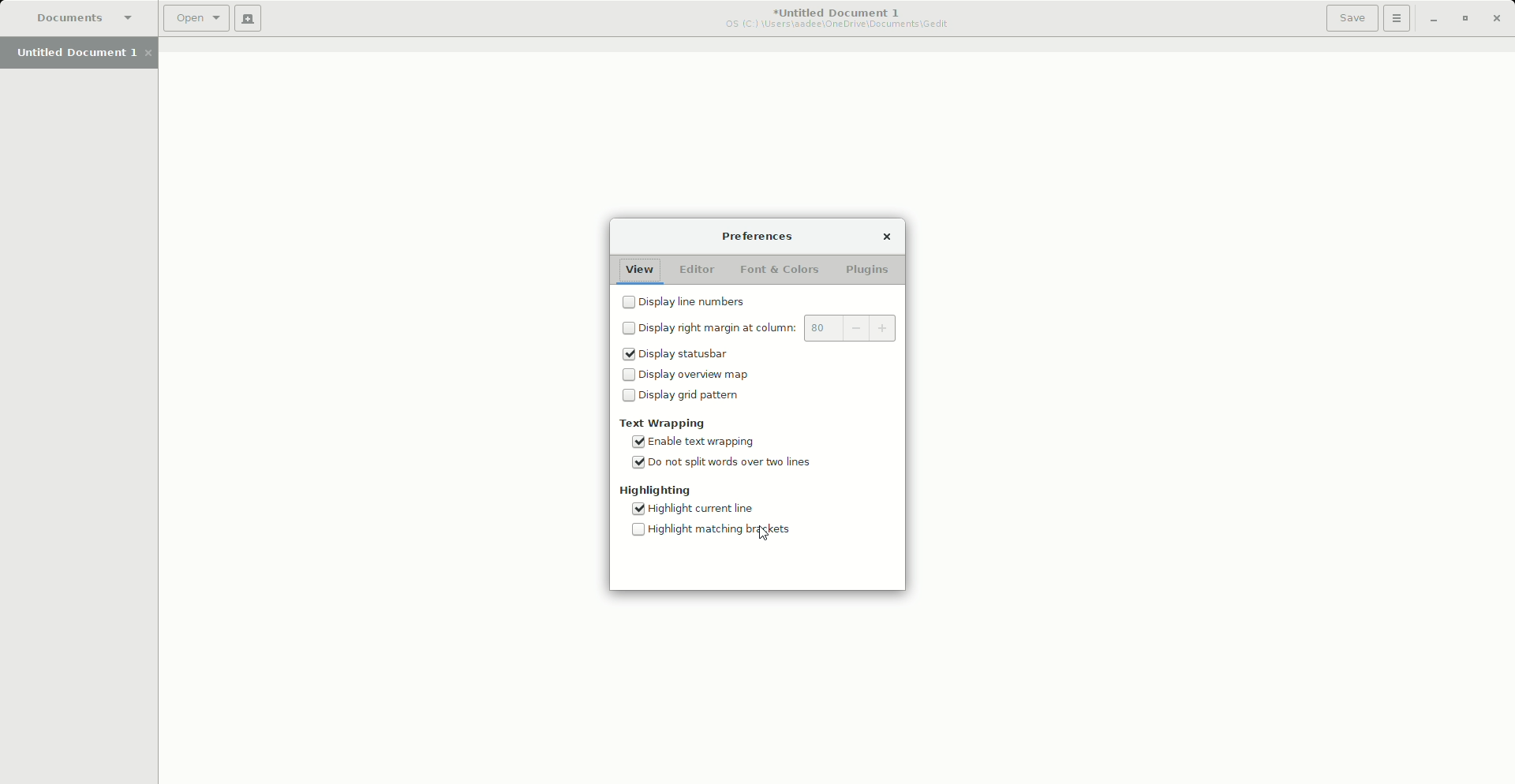  What do you see at coordinates (1464, 18) in the screenshot?
I see `Restore` at bounding box center [1464, 18].